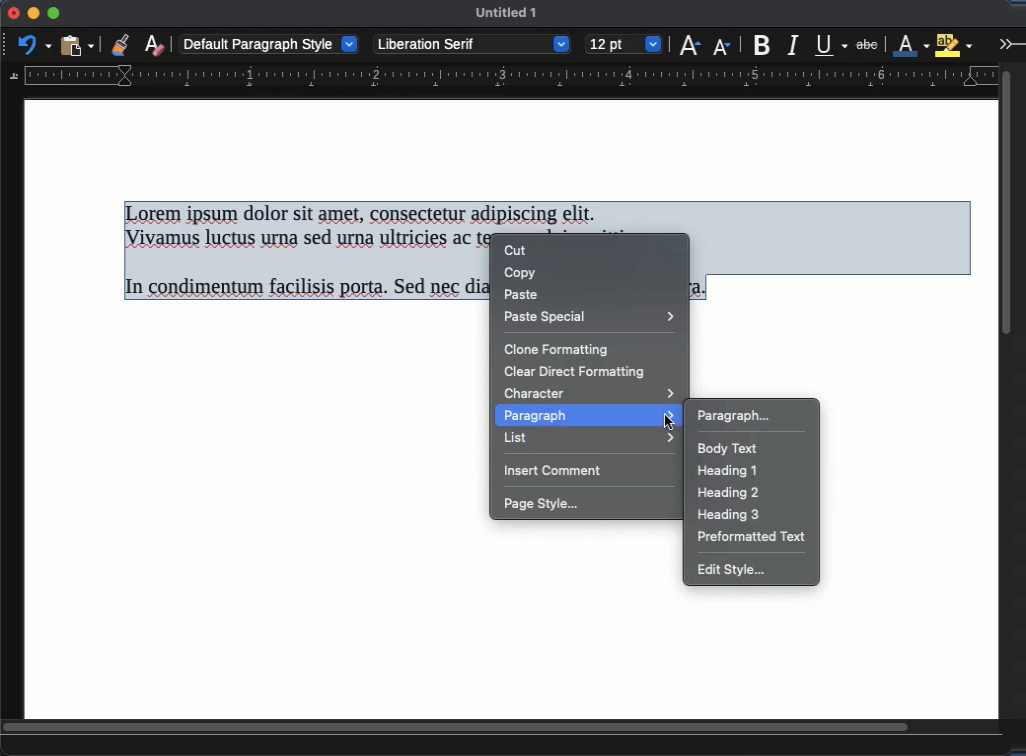 Image resolution: width=1026 pixels, height=756 pixels. I want to click on increase size, so click(689, 44).